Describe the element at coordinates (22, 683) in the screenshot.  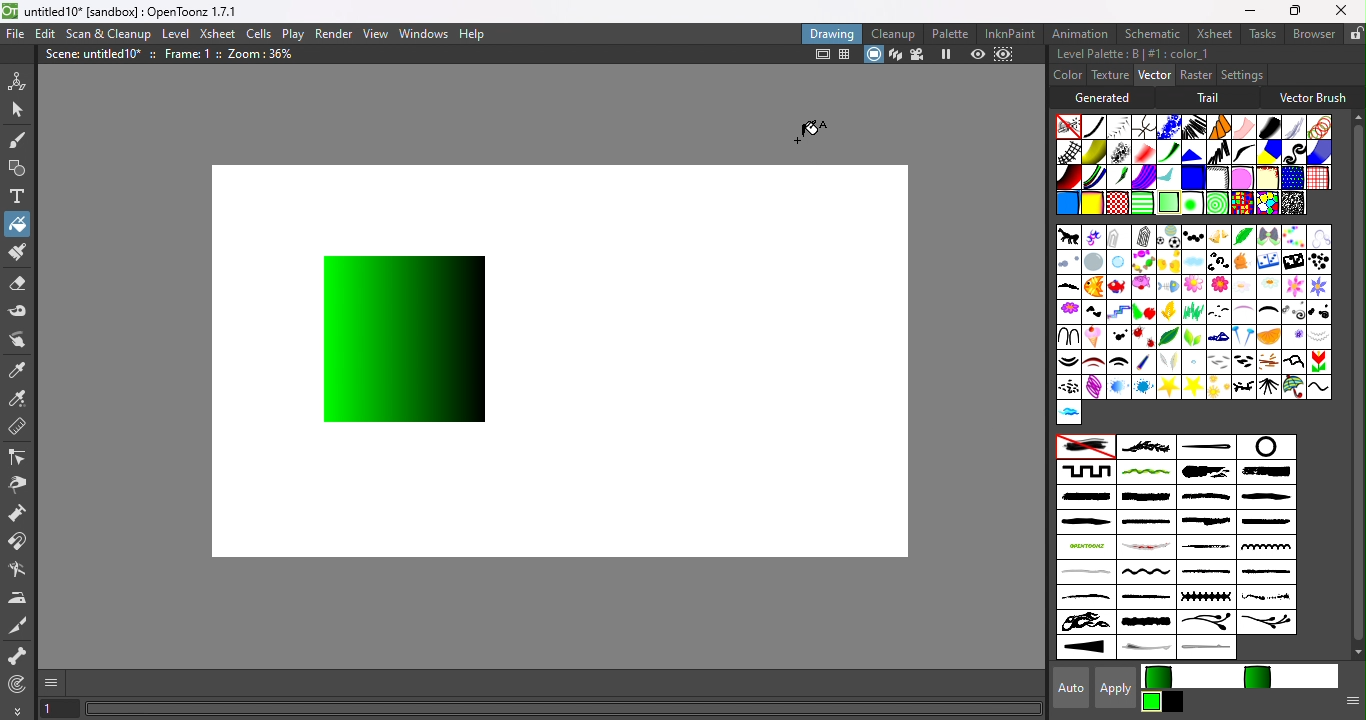
I see `Spiral tool` at that location.